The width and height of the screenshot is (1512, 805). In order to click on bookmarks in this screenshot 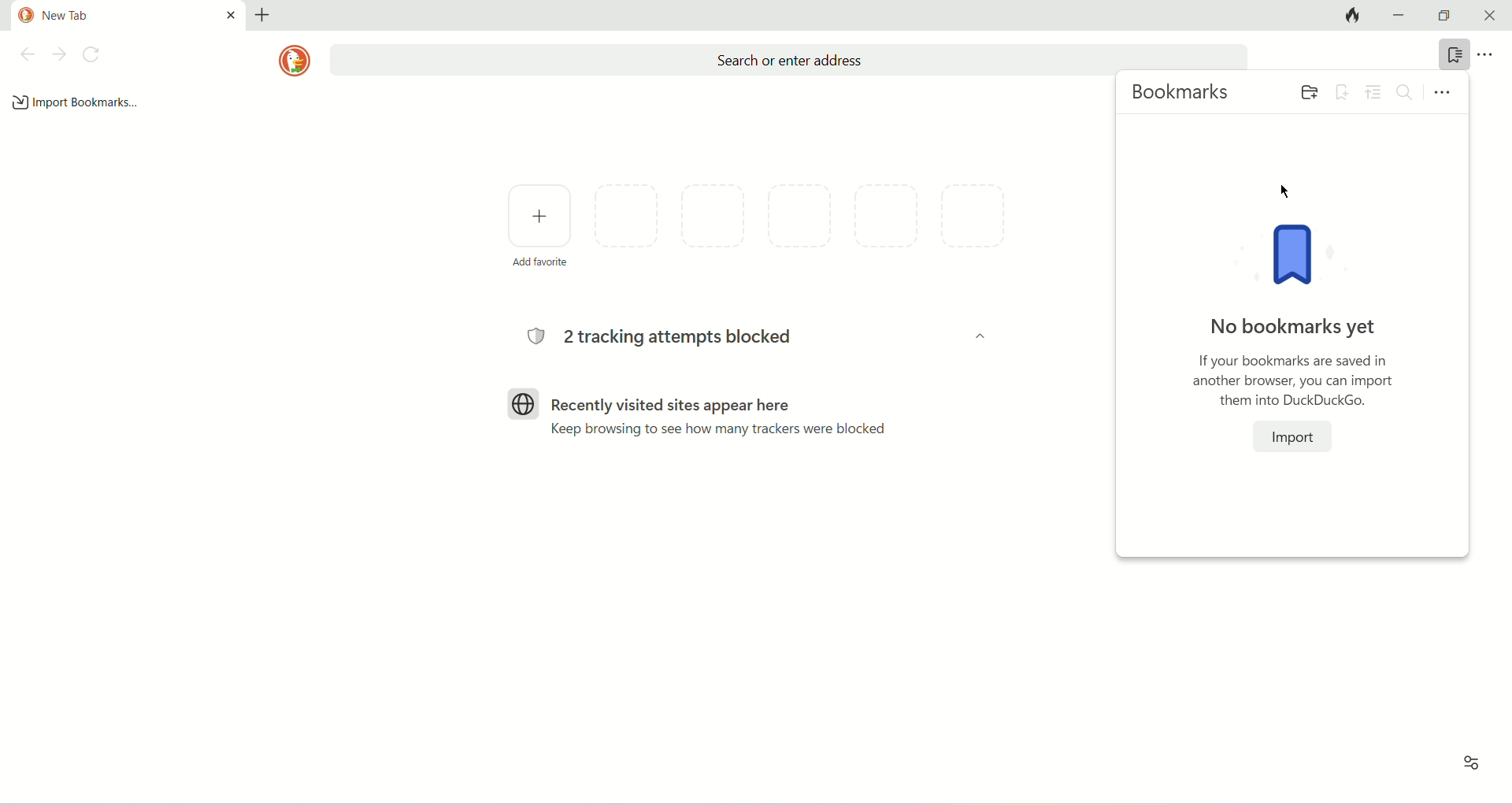, I will do `click(1455, 54)`.